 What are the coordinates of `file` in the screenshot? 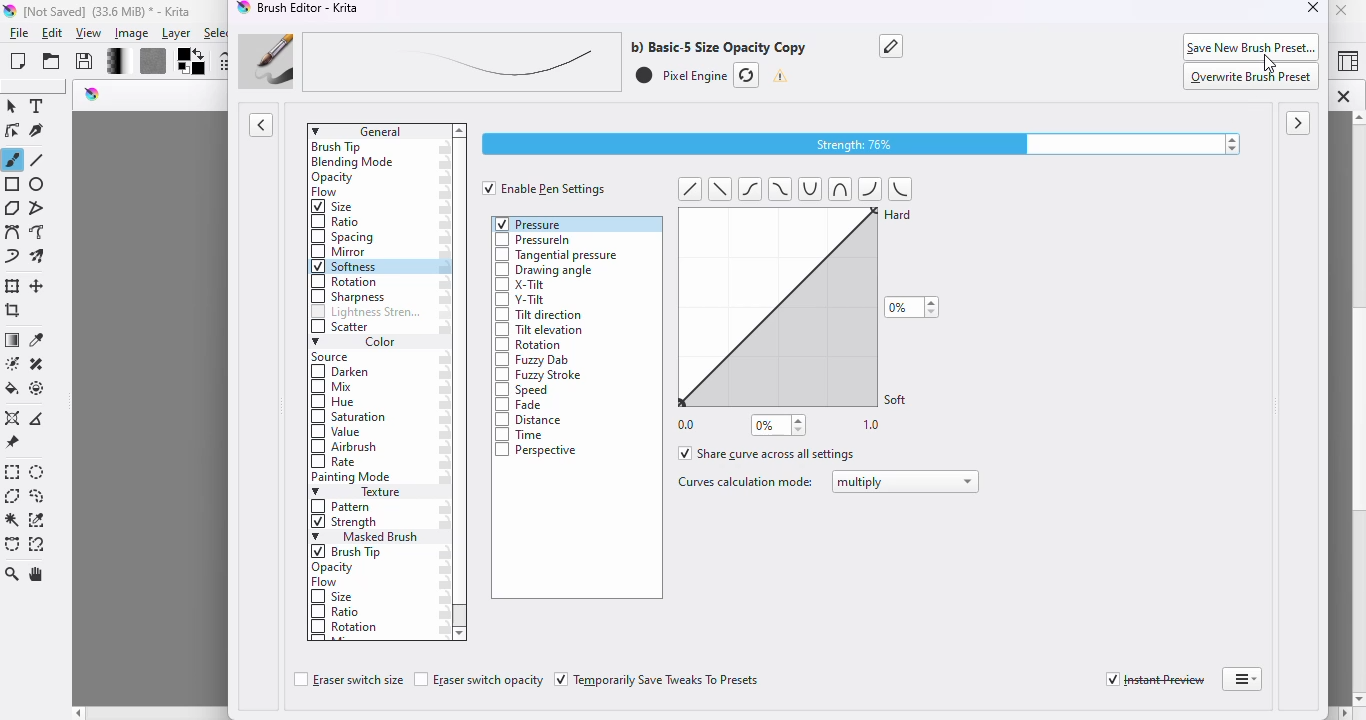 It's located at (19, 34).